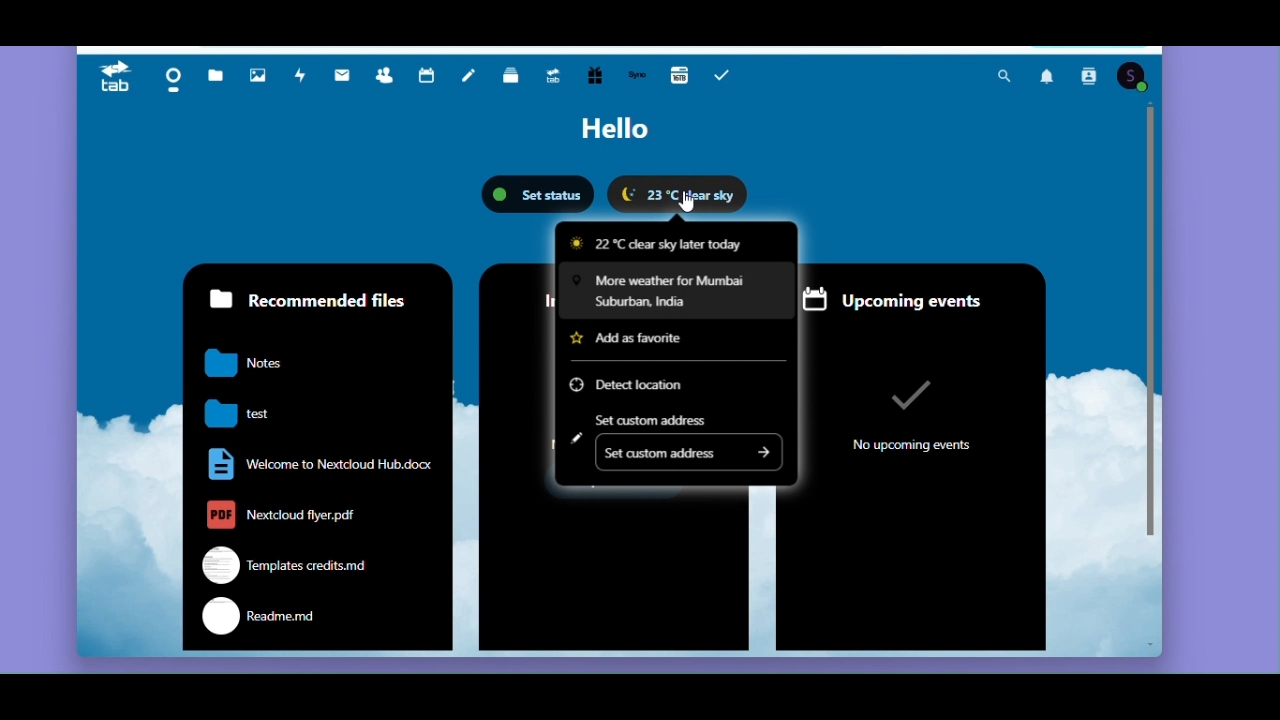 The width and height of the screenshot is (1280, 720). Describe the element at coordinates (561, 76) in the screenshot. I see `Upgrade` at that location.